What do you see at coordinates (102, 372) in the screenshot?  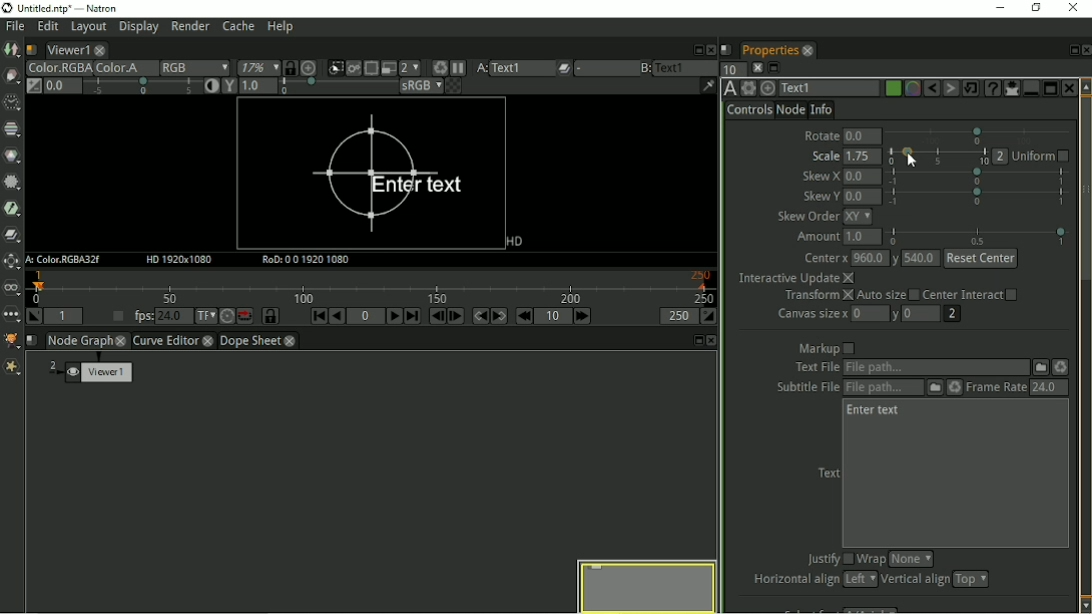 I see `Viewer 1` at bounding box center [102, 372].